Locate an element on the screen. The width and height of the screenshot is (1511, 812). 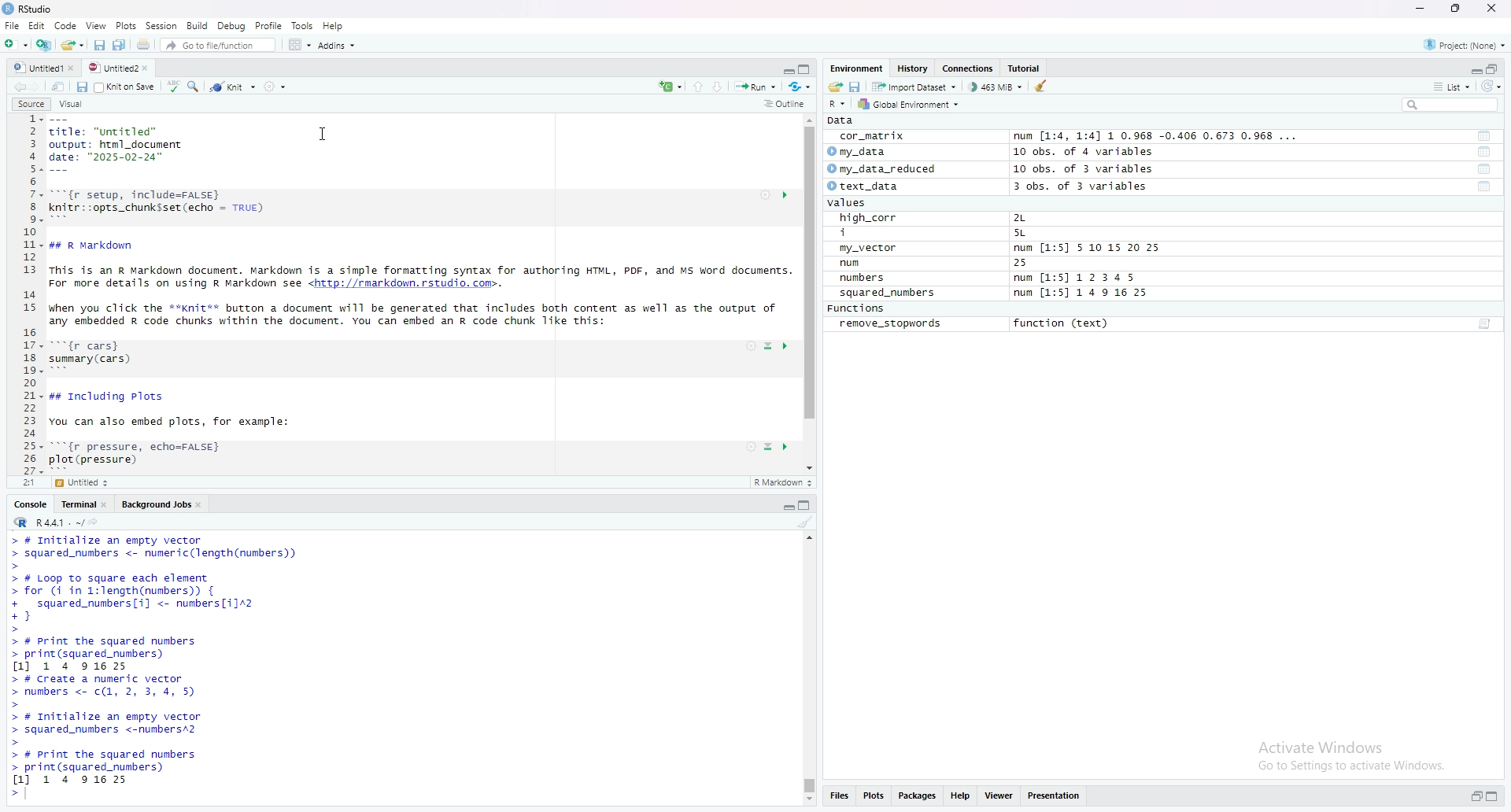
Scrollbar up is located at coordinates (807, 537).